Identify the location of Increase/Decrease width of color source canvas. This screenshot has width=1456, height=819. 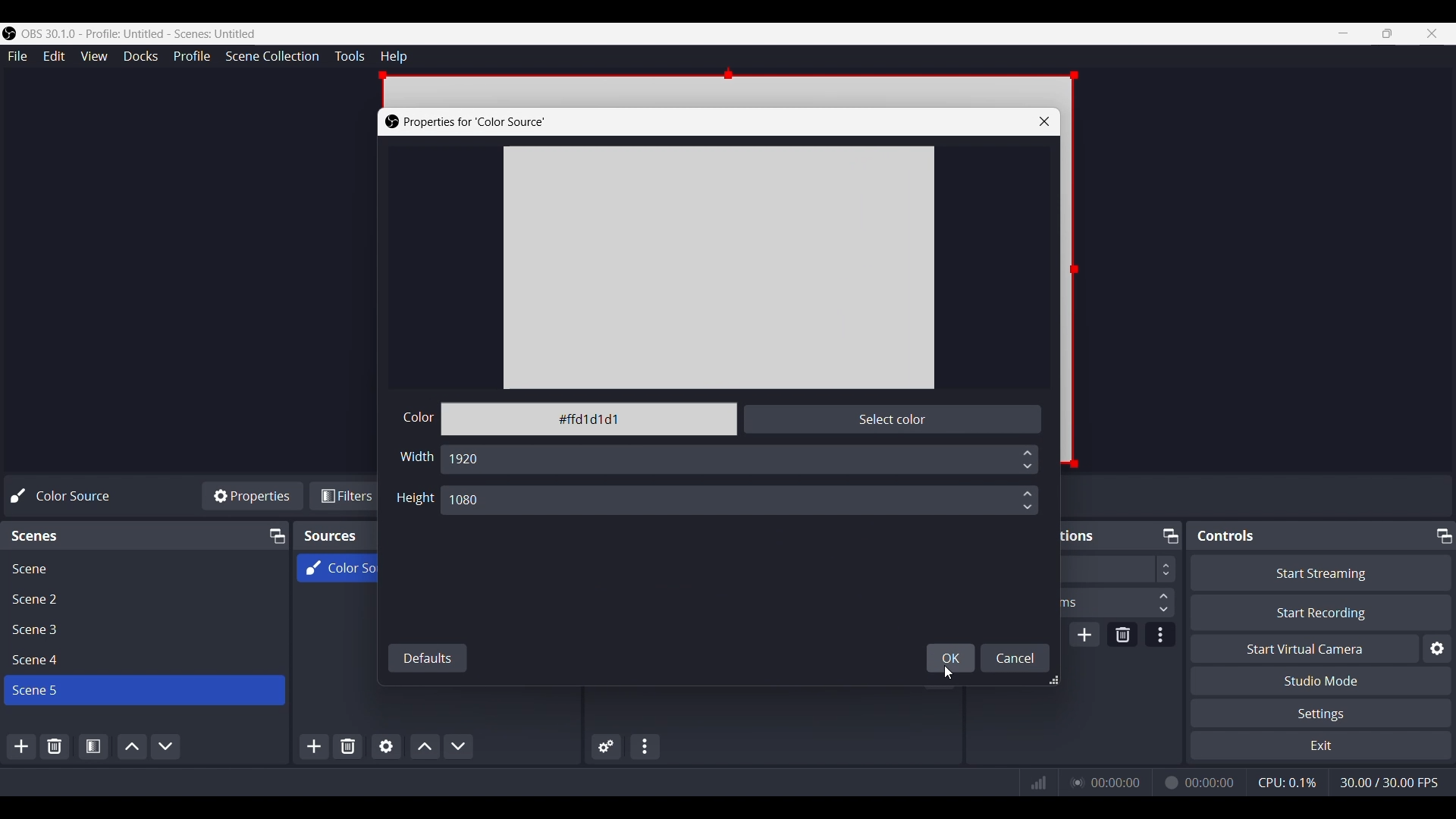
(1026, 459).